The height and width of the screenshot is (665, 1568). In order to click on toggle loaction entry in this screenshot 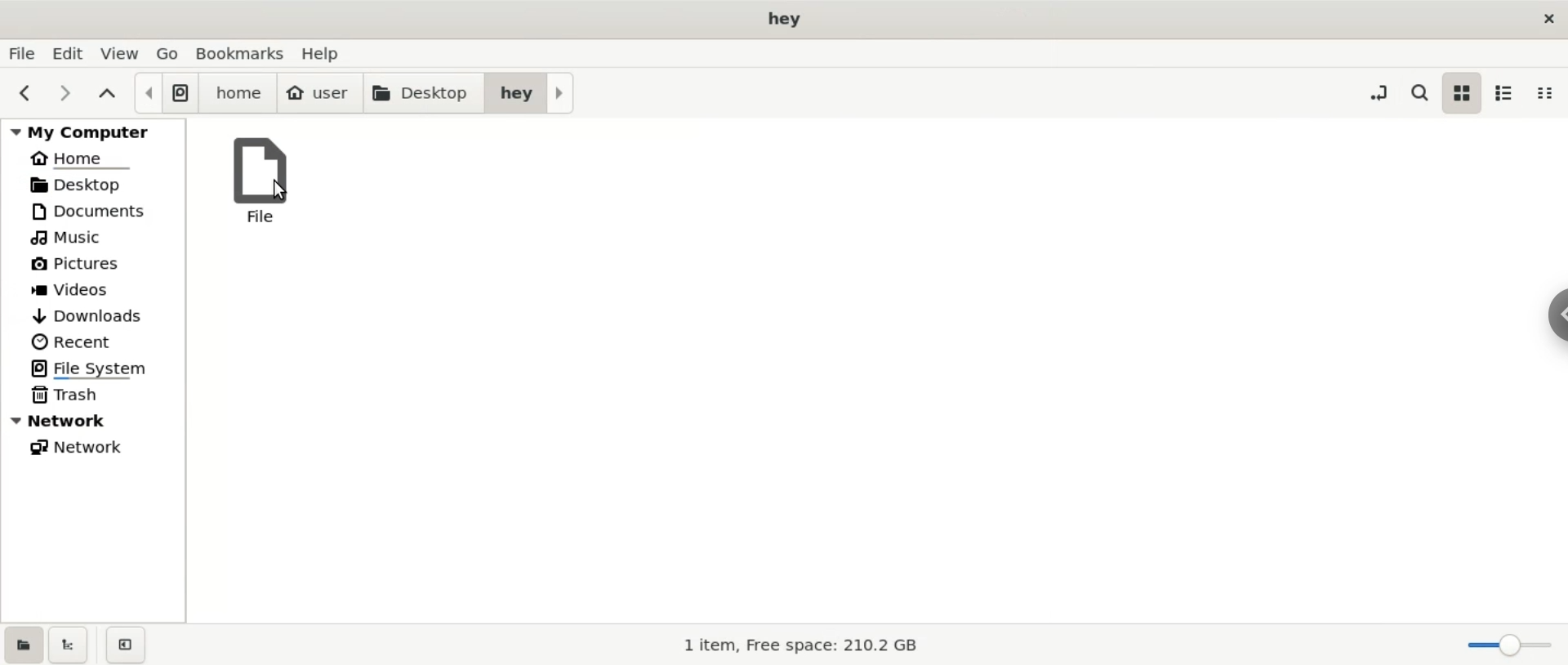, I will do `click(1382, 91)`.